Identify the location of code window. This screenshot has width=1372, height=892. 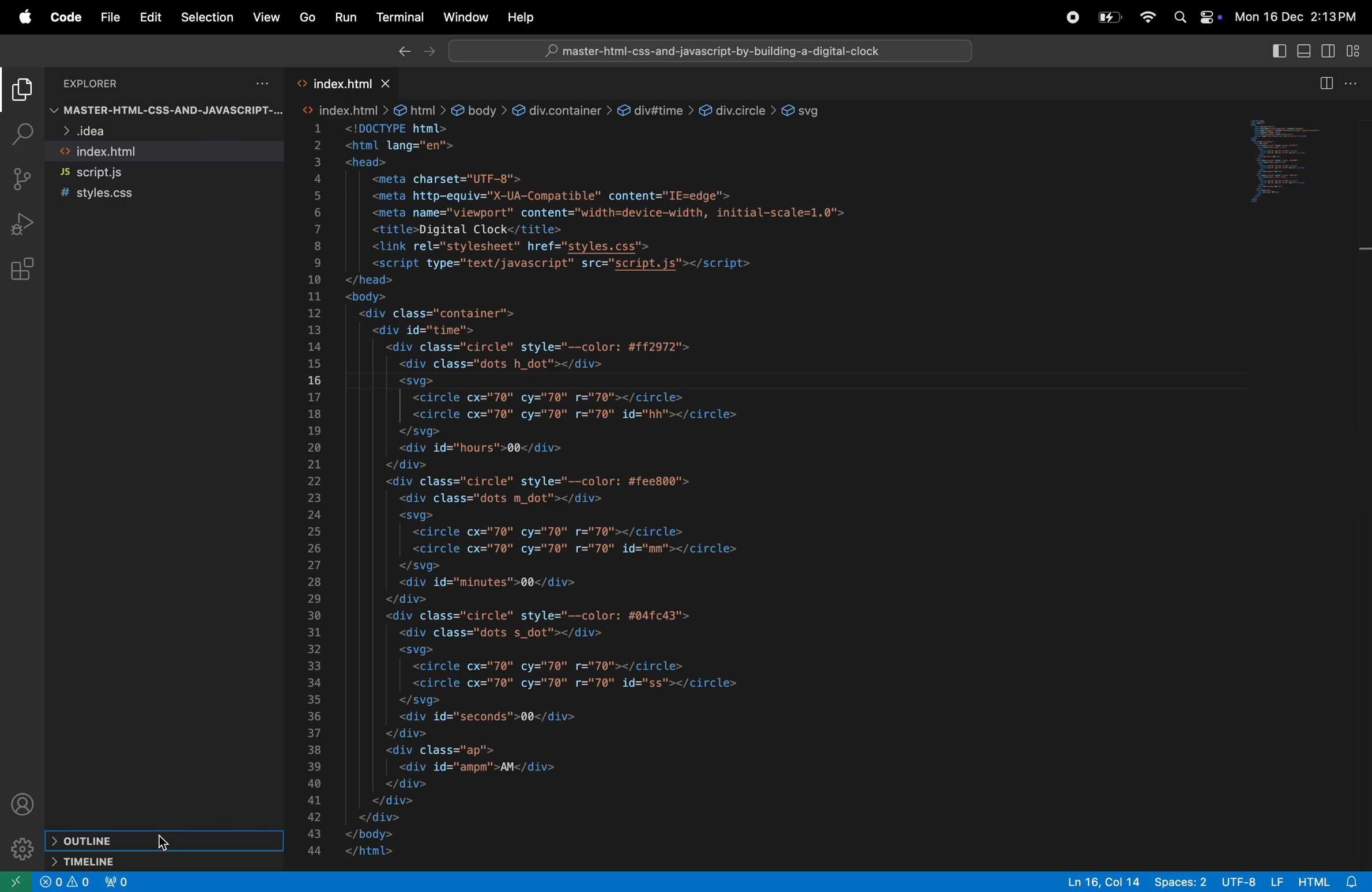
(1289, 158).